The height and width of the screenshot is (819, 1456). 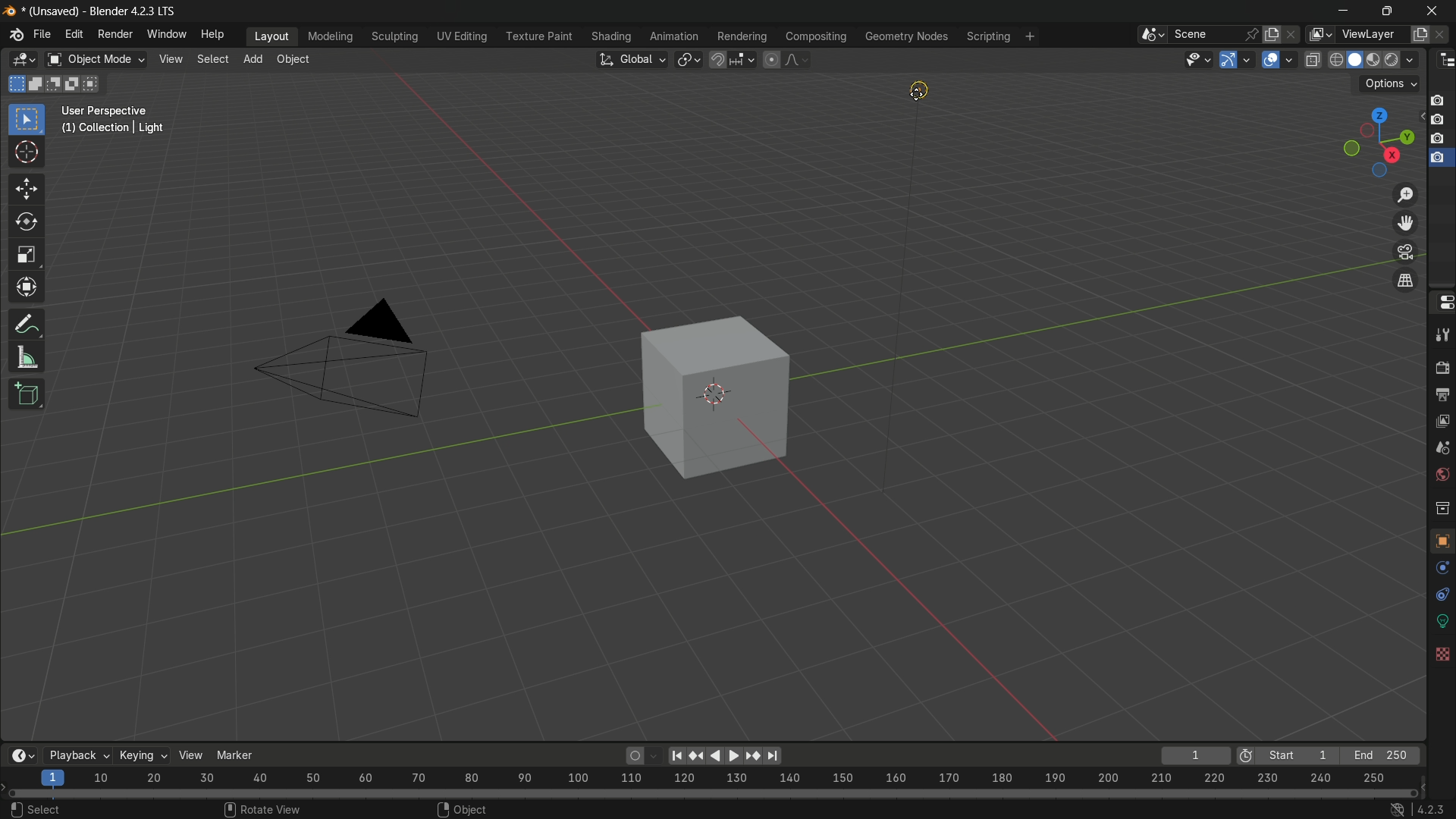 I want to click on render, so click(x=1442, y=367).